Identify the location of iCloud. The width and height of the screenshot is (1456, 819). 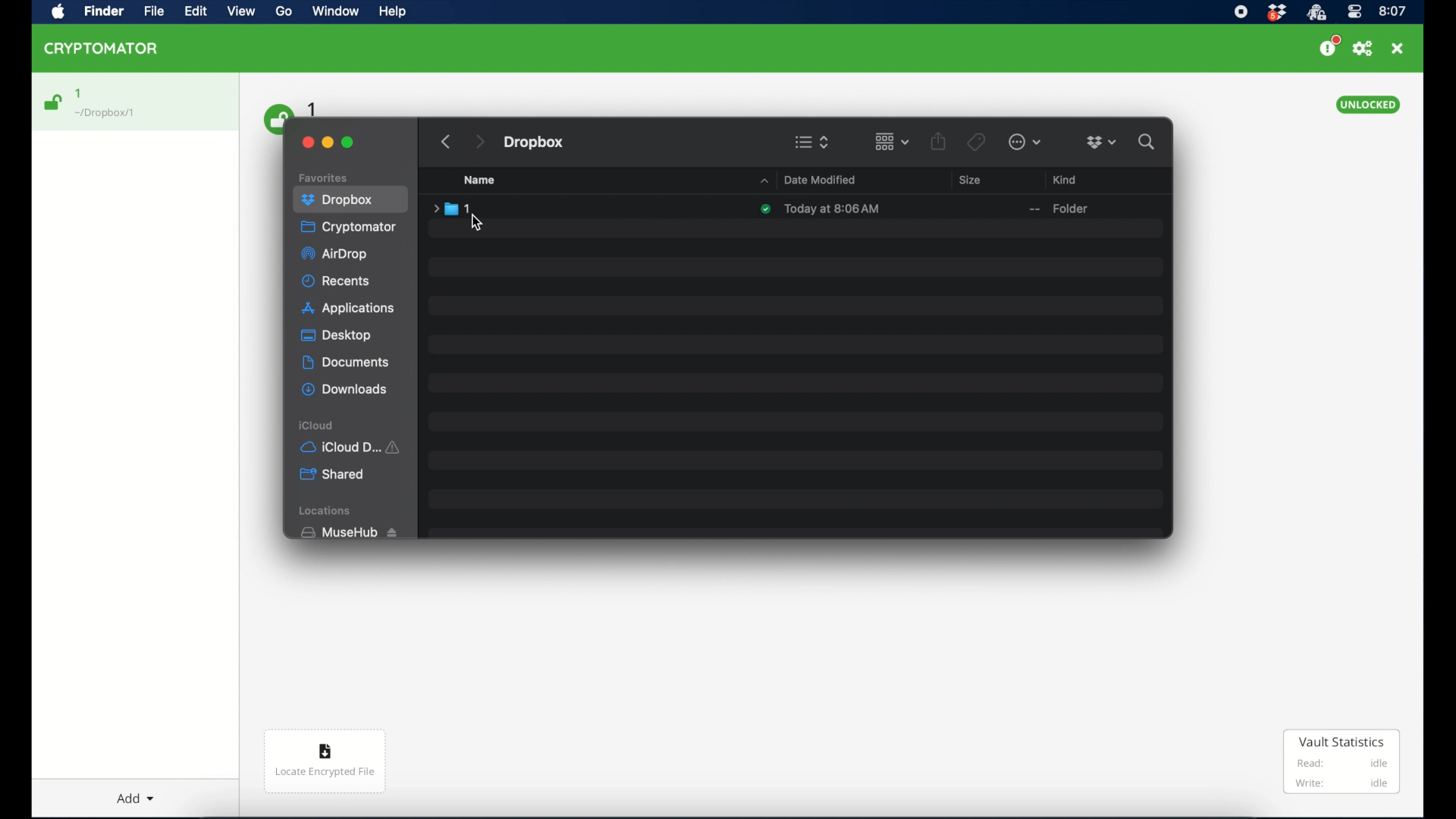
(353, 446).